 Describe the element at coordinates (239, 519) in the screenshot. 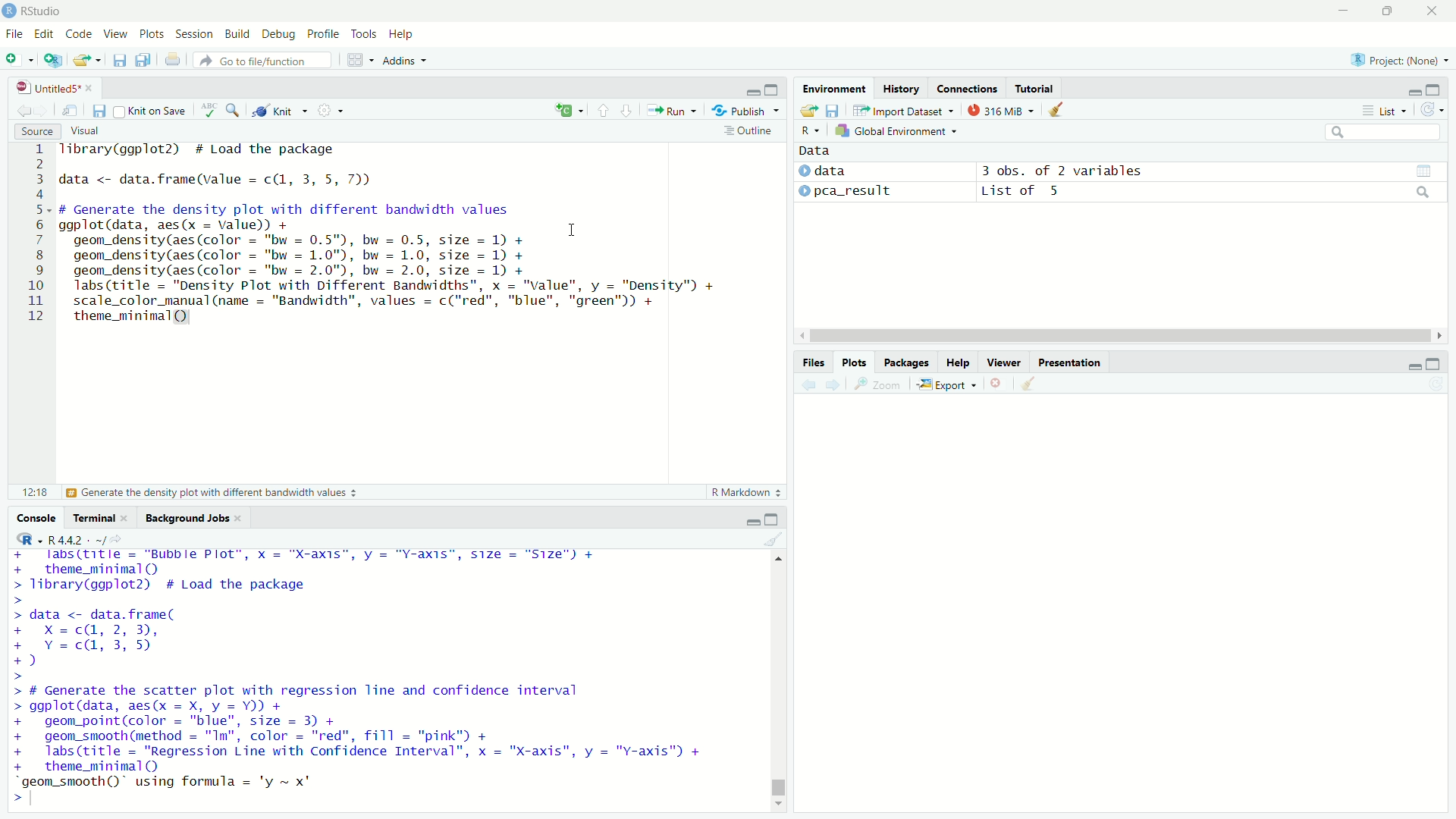

I see `close` at that location.